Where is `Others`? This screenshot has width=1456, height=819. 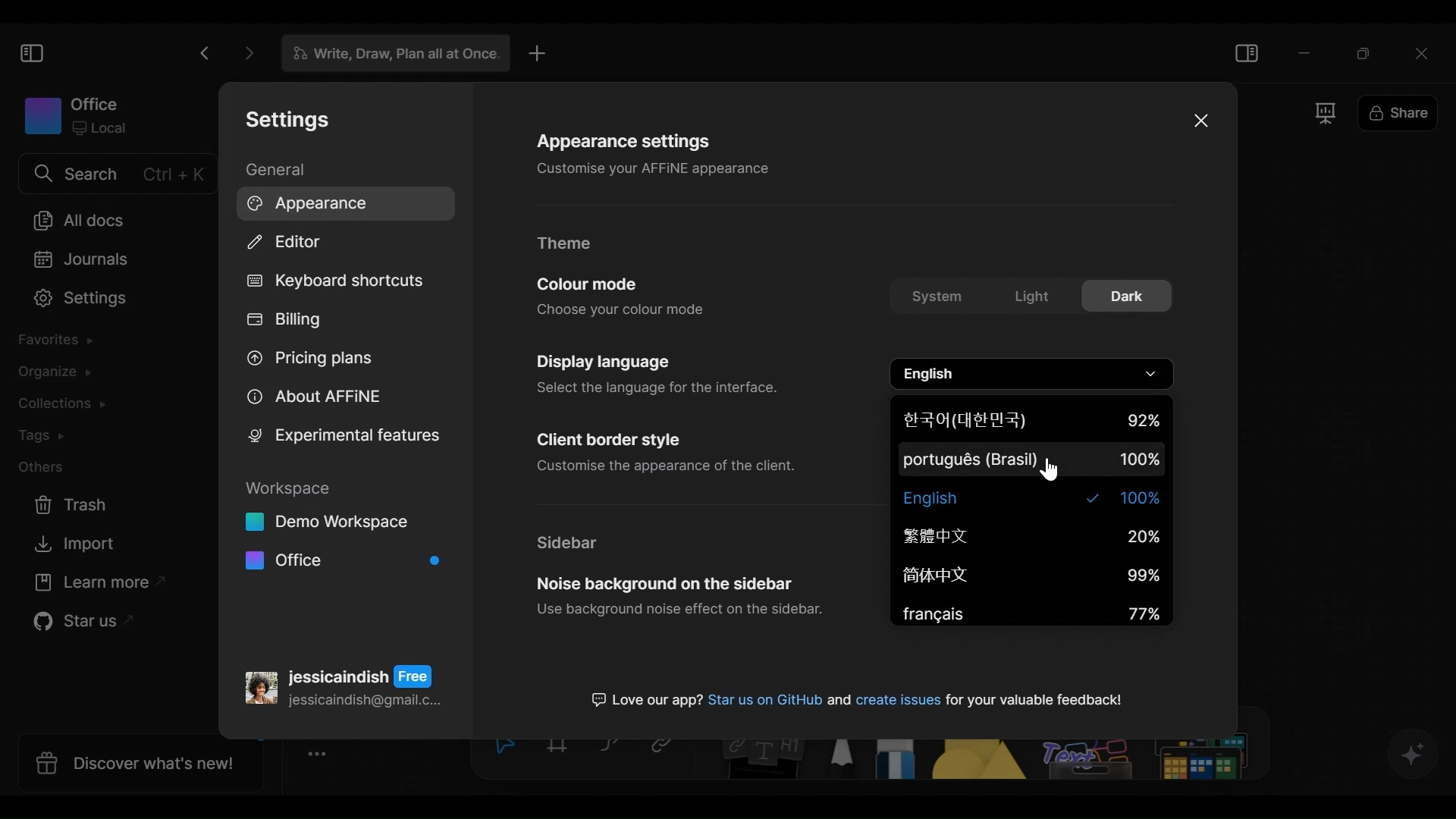 Others is located at coordinates (1145, 761).